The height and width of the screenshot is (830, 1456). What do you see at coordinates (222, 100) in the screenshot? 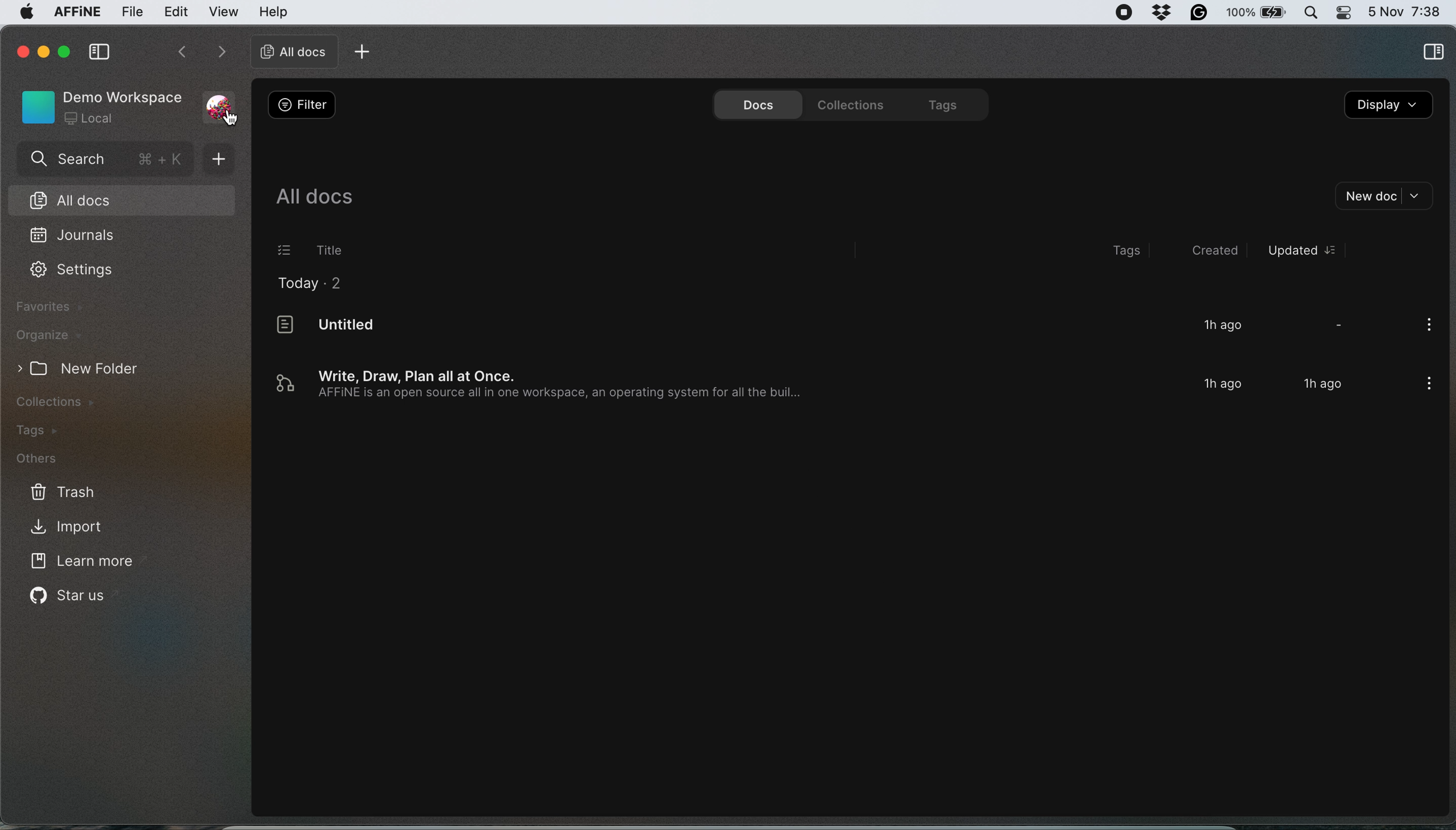
I see `profile` at bounding box center [222, 100].